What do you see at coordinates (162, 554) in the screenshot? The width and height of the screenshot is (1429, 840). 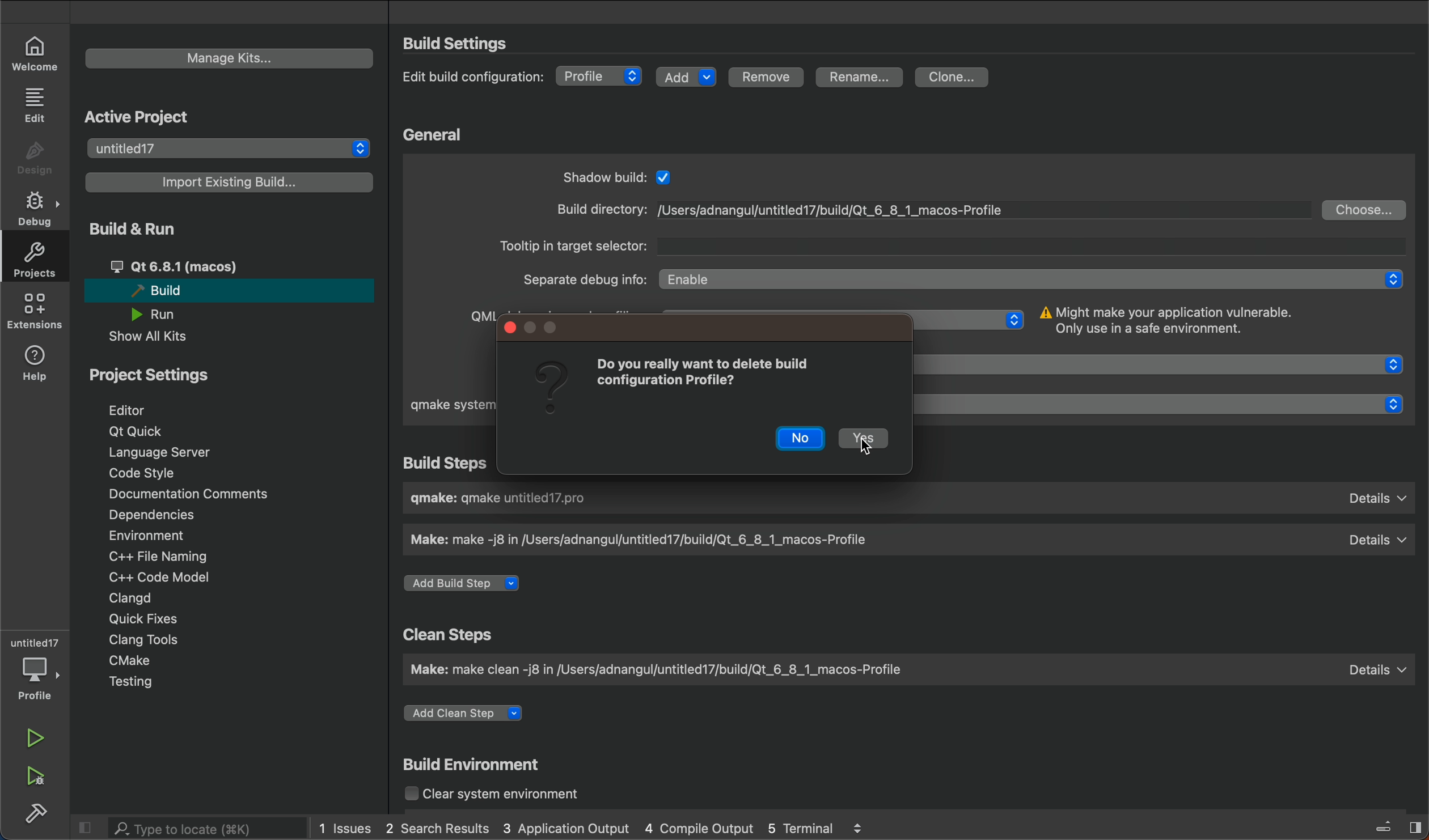 I see `file naming` at bounding box center [162, 554].